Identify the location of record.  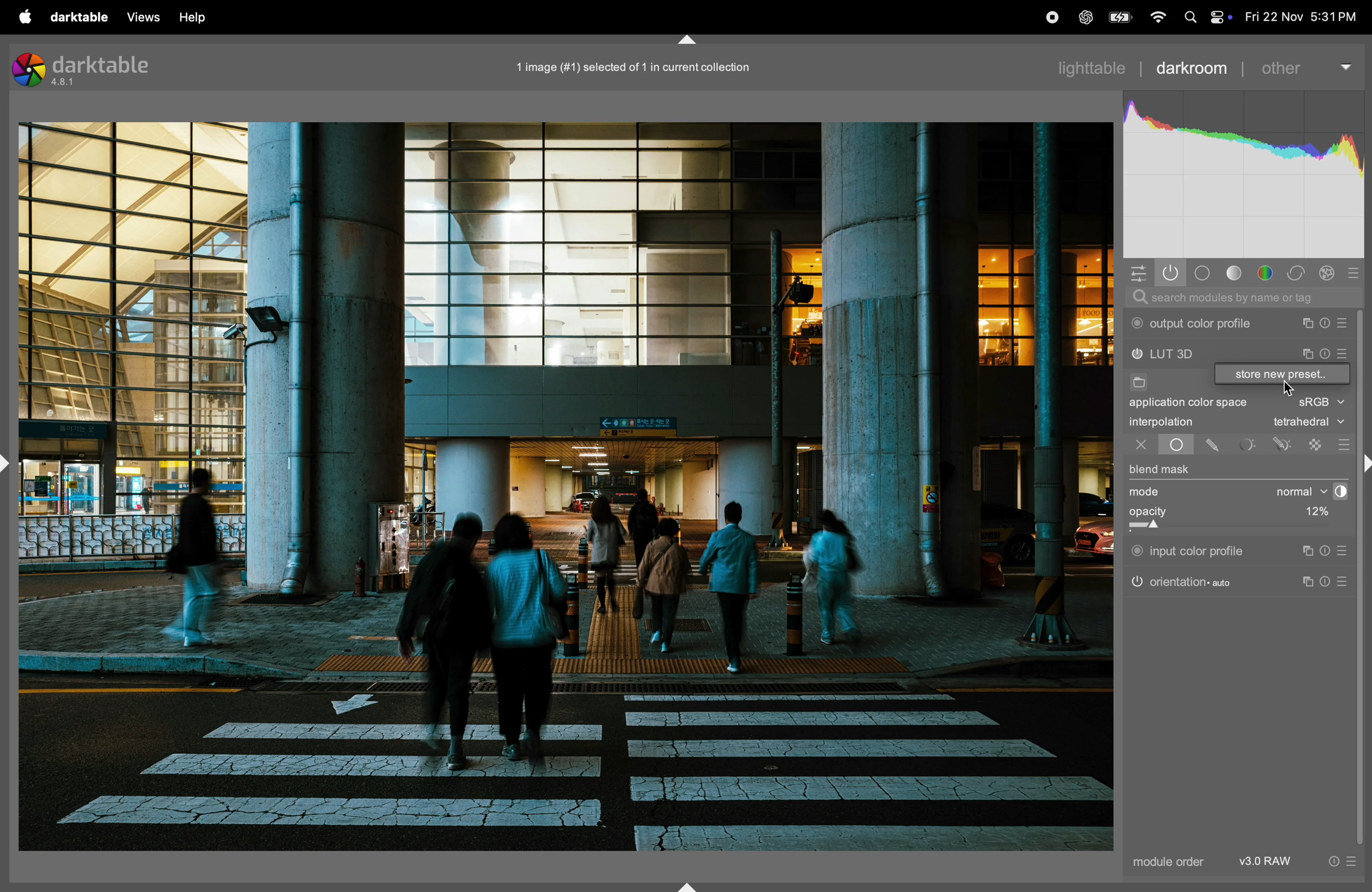
(1048, 18).